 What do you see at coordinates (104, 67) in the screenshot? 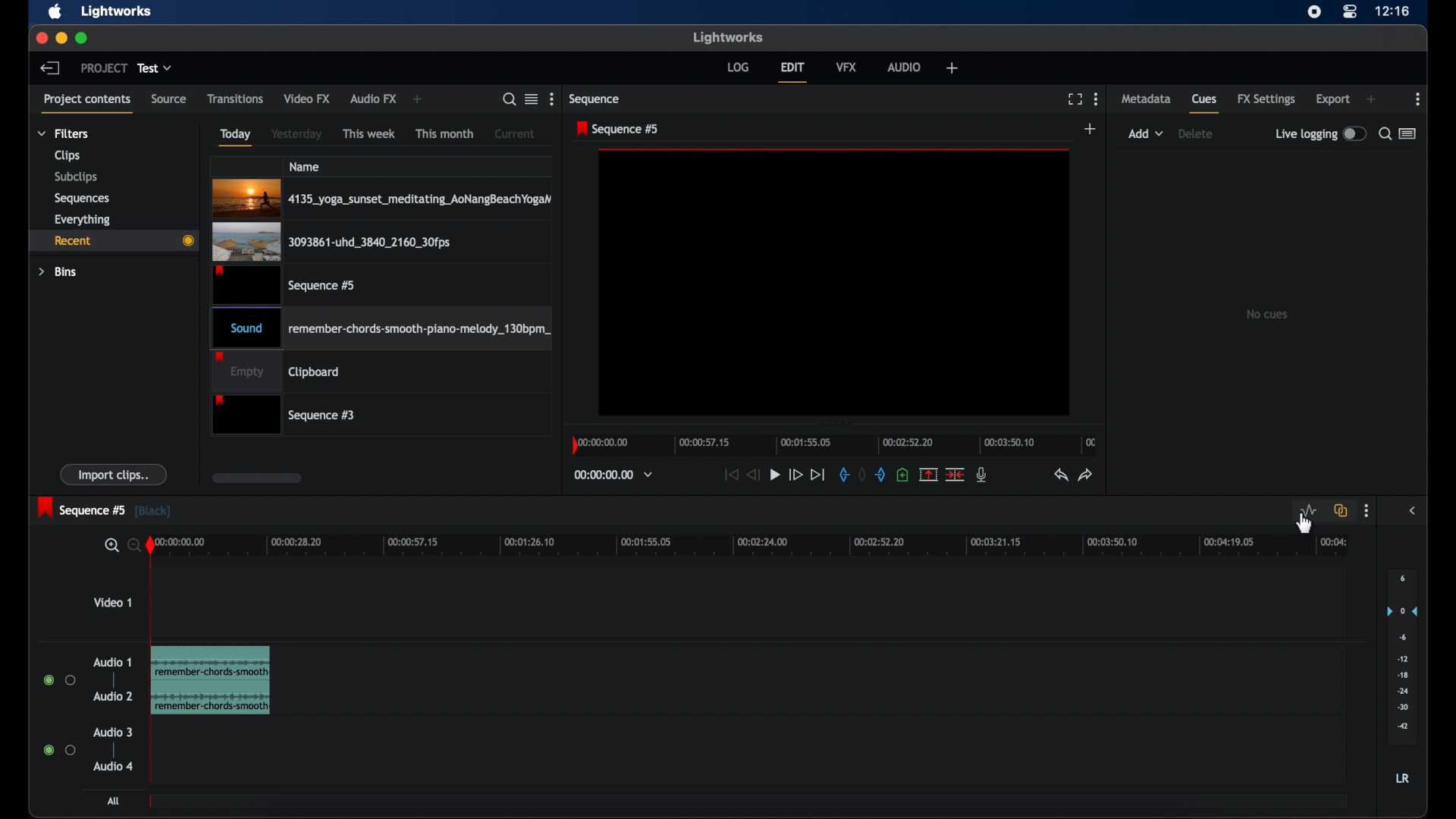
I see `project` at bounding box center [104, 67].